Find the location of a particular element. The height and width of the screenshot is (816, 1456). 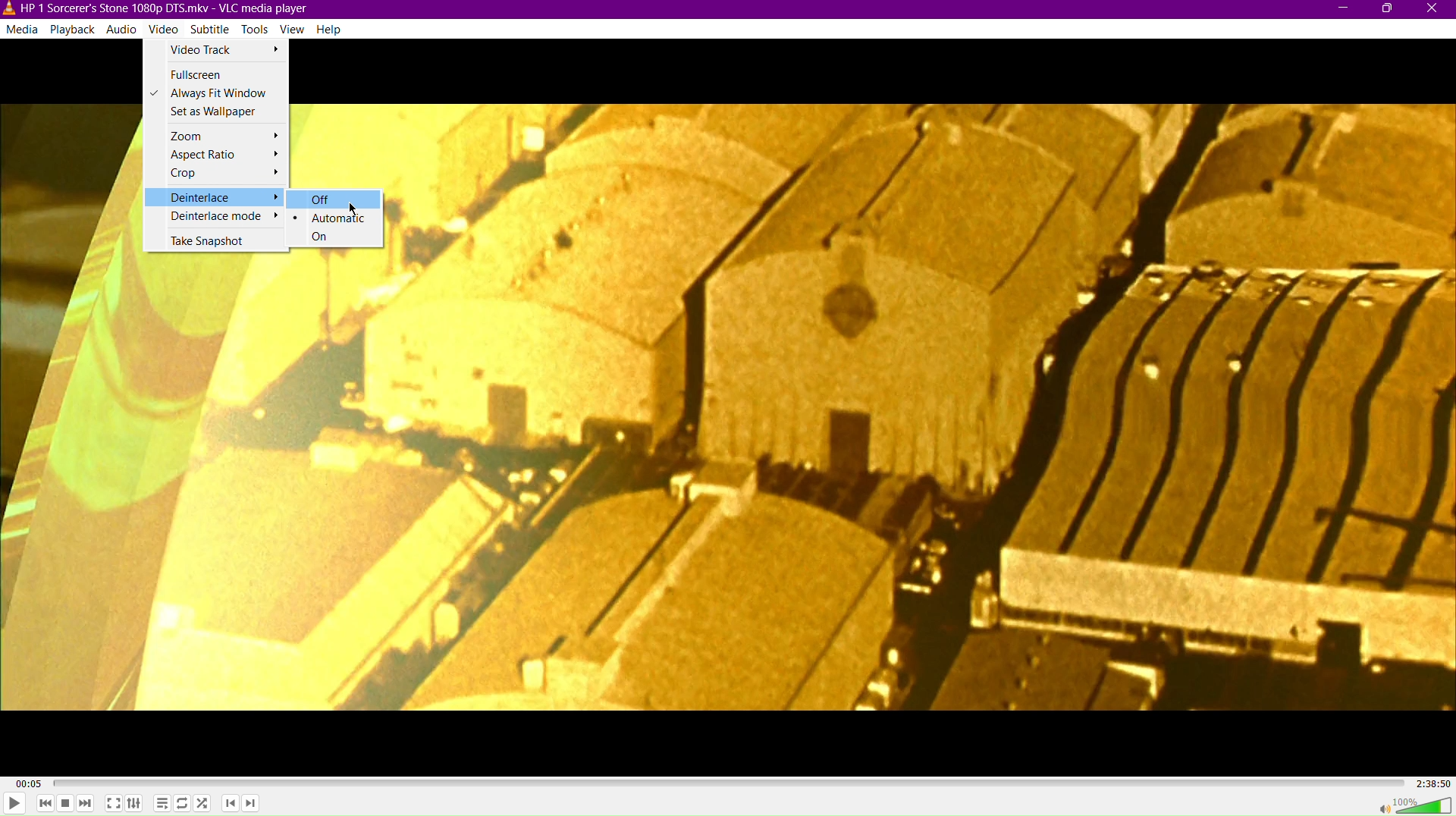

Stop is located at coordinates (67, 804).